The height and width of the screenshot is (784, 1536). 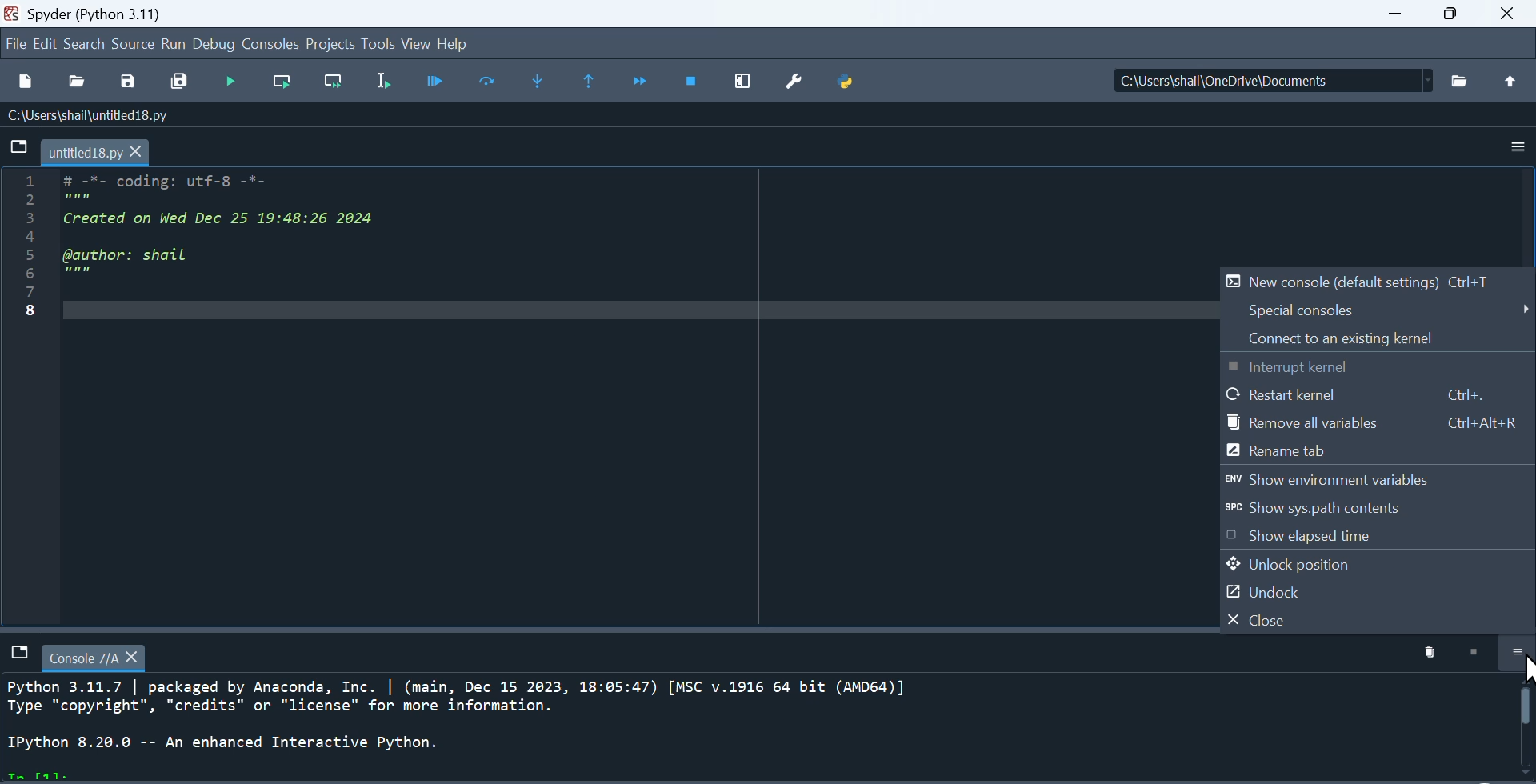 I want to click on edit, so click(x=43, y=46).